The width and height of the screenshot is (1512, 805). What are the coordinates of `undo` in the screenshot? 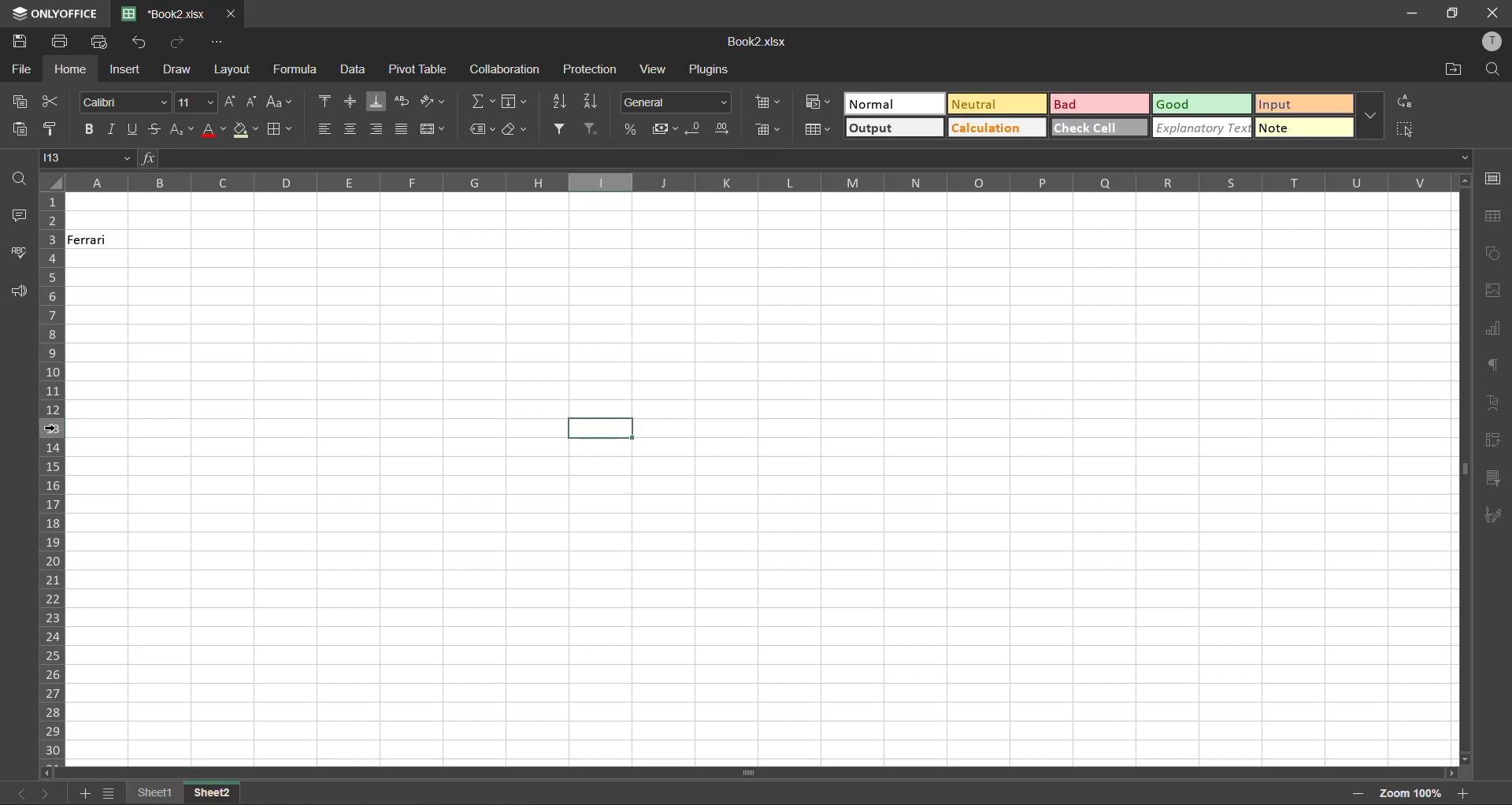 It's located at (143, 43).